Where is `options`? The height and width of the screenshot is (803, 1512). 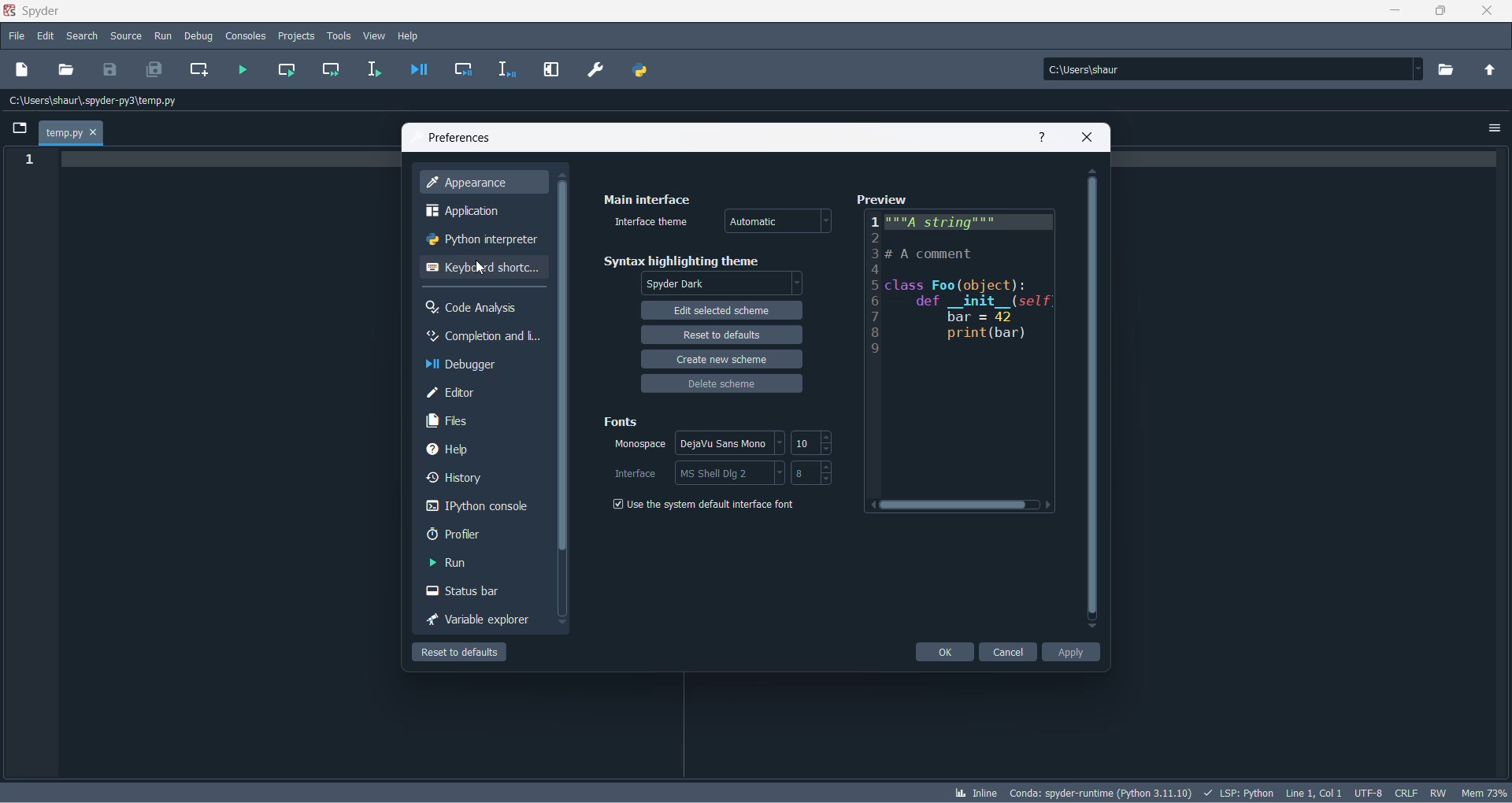
options is located at coordinates (1494, 128).